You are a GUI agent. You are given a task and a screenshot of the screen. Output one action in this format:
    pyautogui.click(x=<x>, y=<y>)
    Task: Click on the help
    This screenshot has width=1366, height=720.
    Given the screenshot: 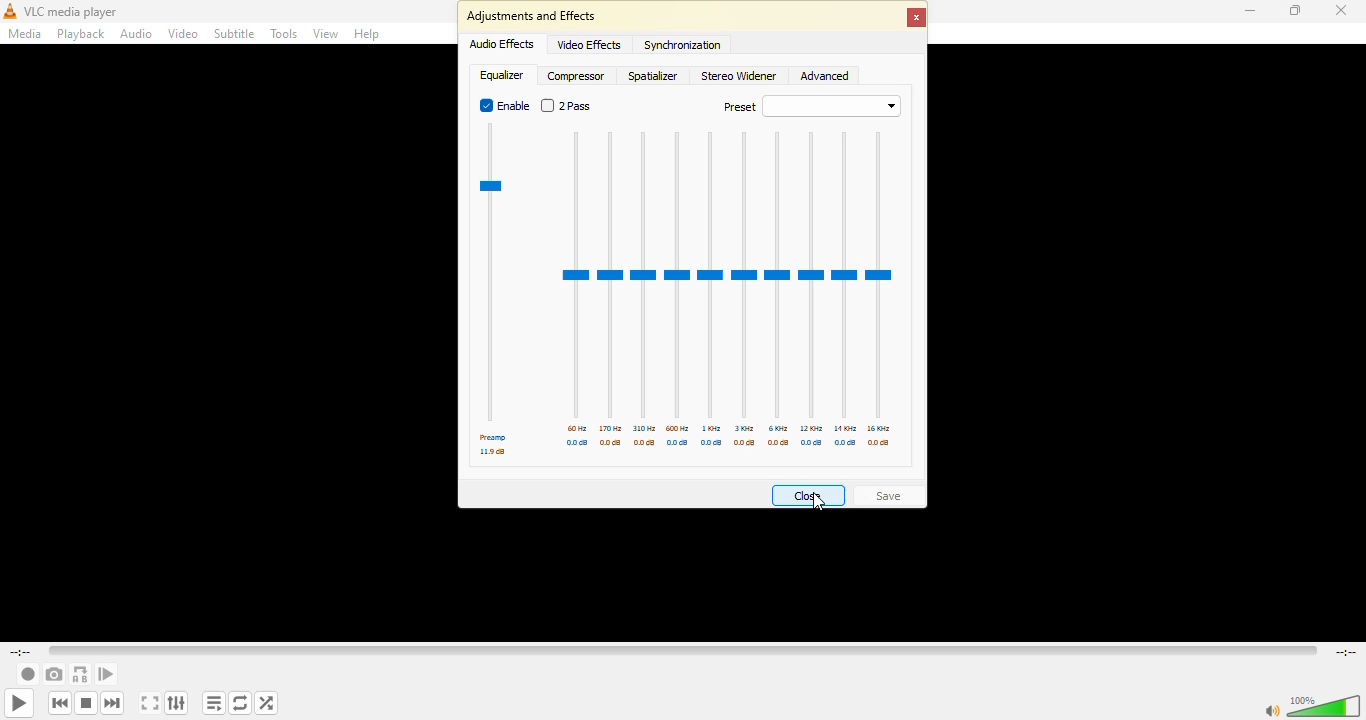 What is the action you would take?
    pyautogui.click(x=367, y=36)
    